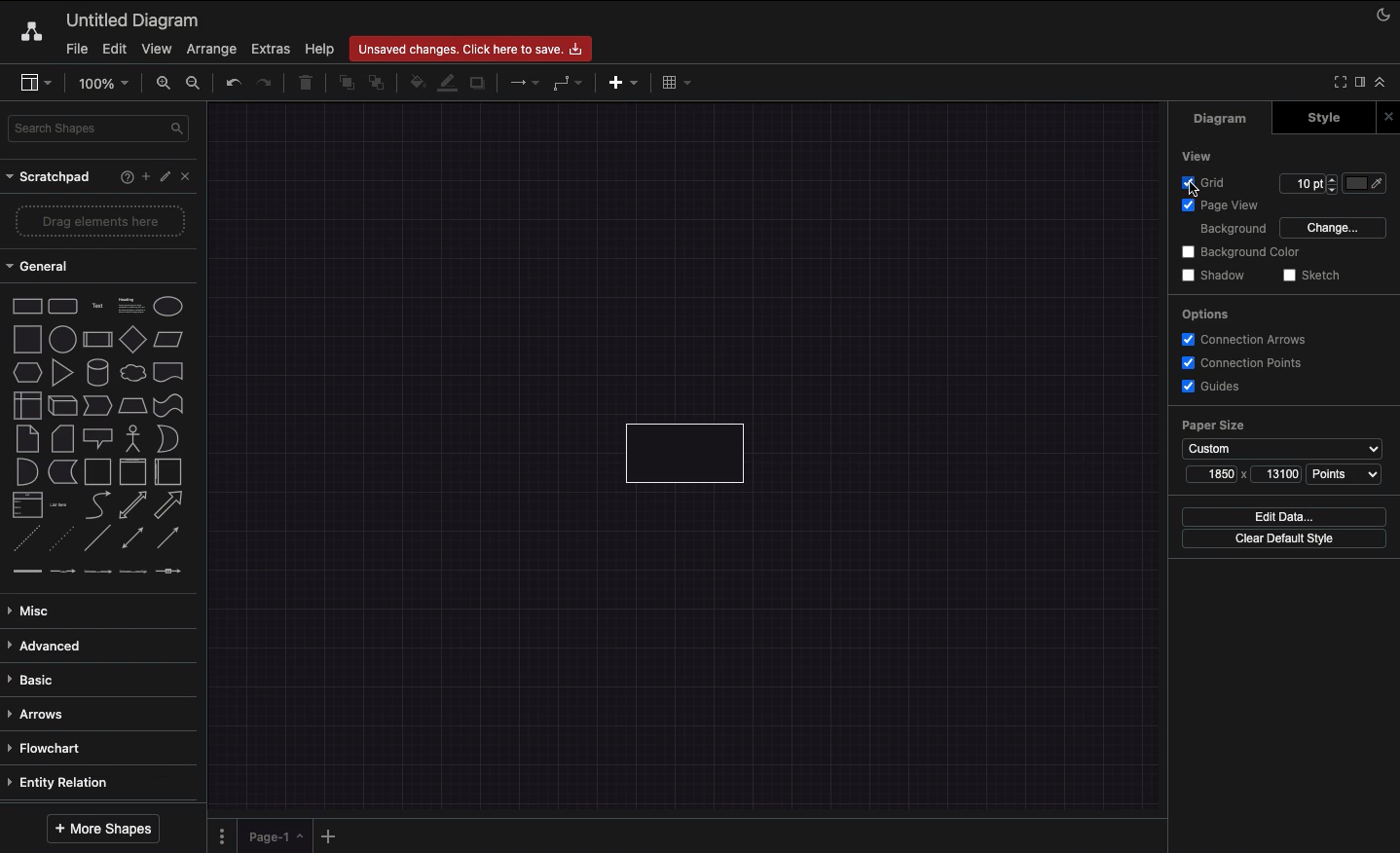 This screenshot has width=1400, height=853. What do you see at coordinates (1313, 278) in the screenshot?
I see `Sketch` at bounding box center [1313, 278].